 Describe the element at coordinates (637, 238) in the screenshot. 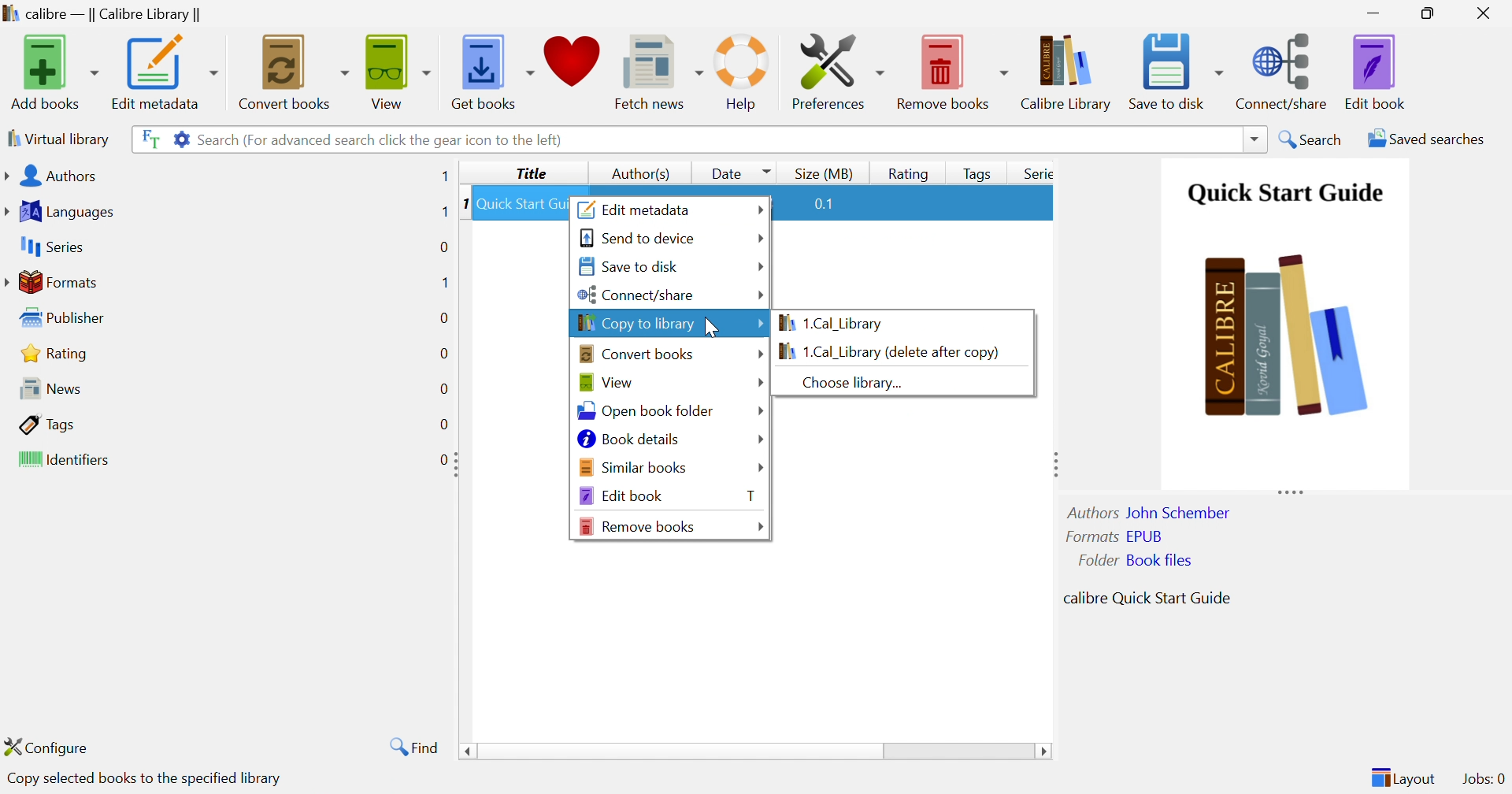

I see `Send to device` at that location.